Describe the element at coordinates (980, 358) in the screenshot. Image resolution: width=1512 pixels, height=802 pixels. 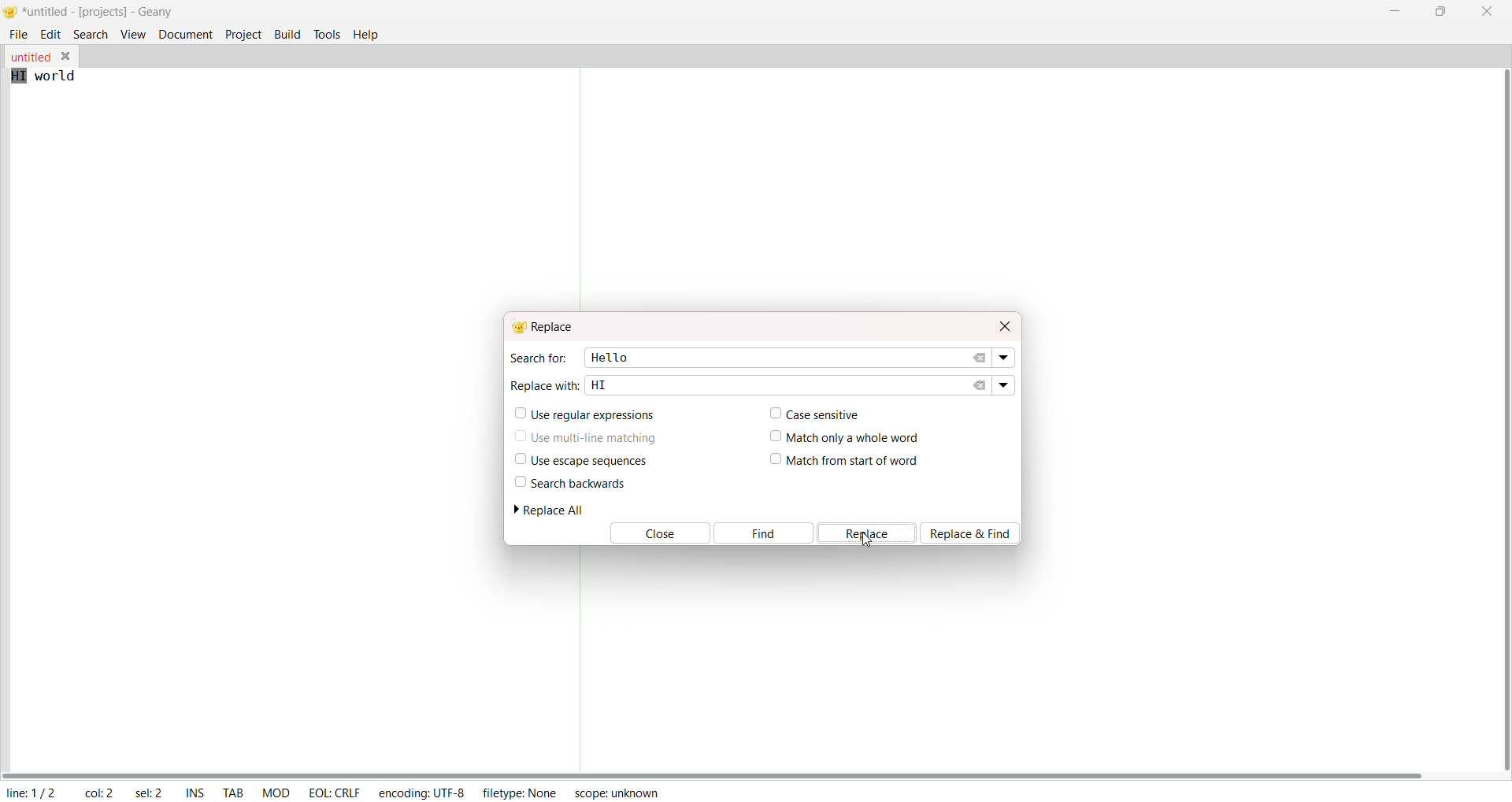
I see `clear search` at that location.